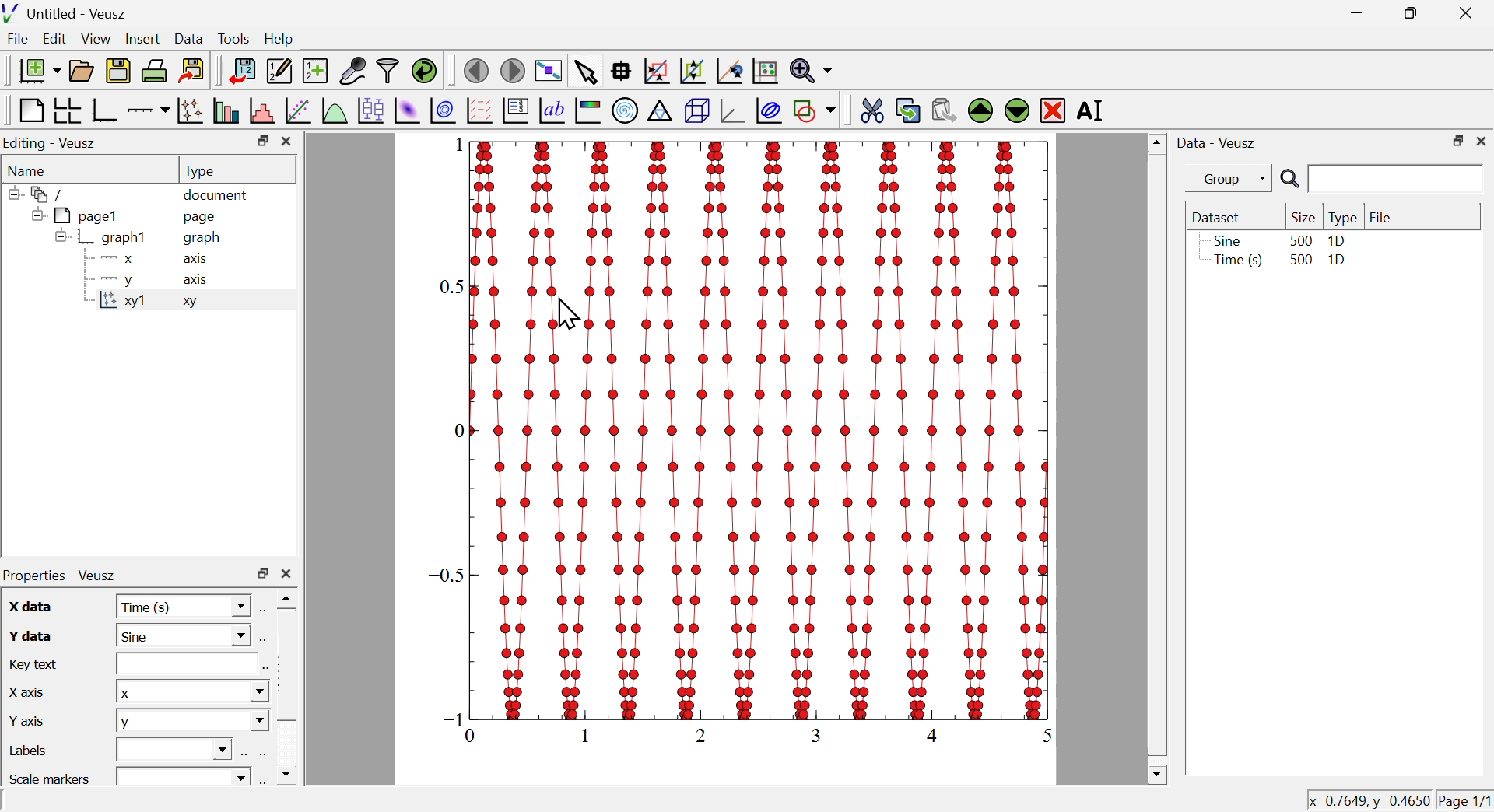 The height and width of the screenshot is (812, 1494). What do you see at coordinates (1040, 733) in the screenshot?
I see `5` at bounding box center [1040, 733].